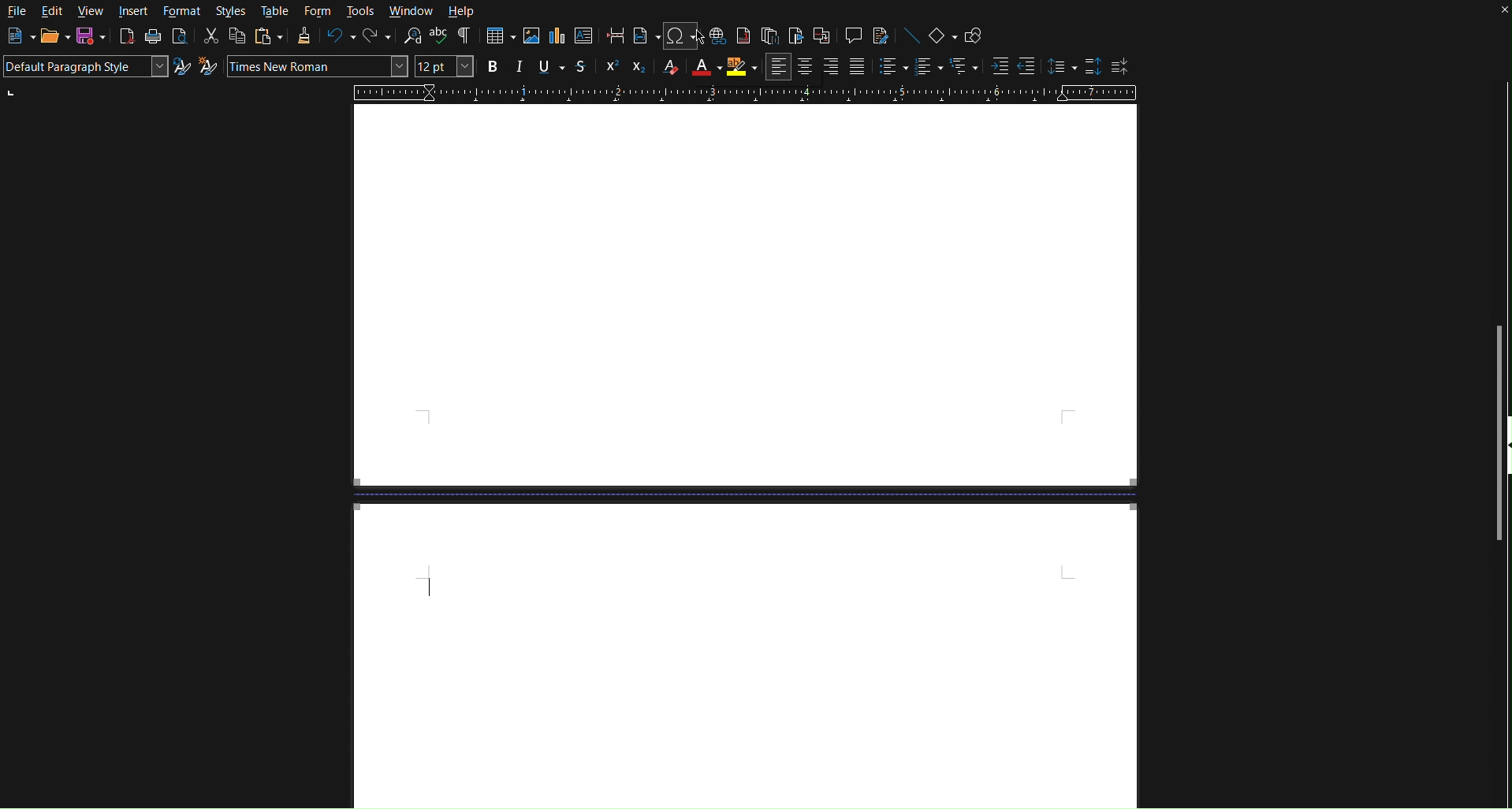 Image resolution: width=1512 pixels, height=809 pixels. Describe the element at coordinates (17, 10) in the screenshot. I see `File` at that location.